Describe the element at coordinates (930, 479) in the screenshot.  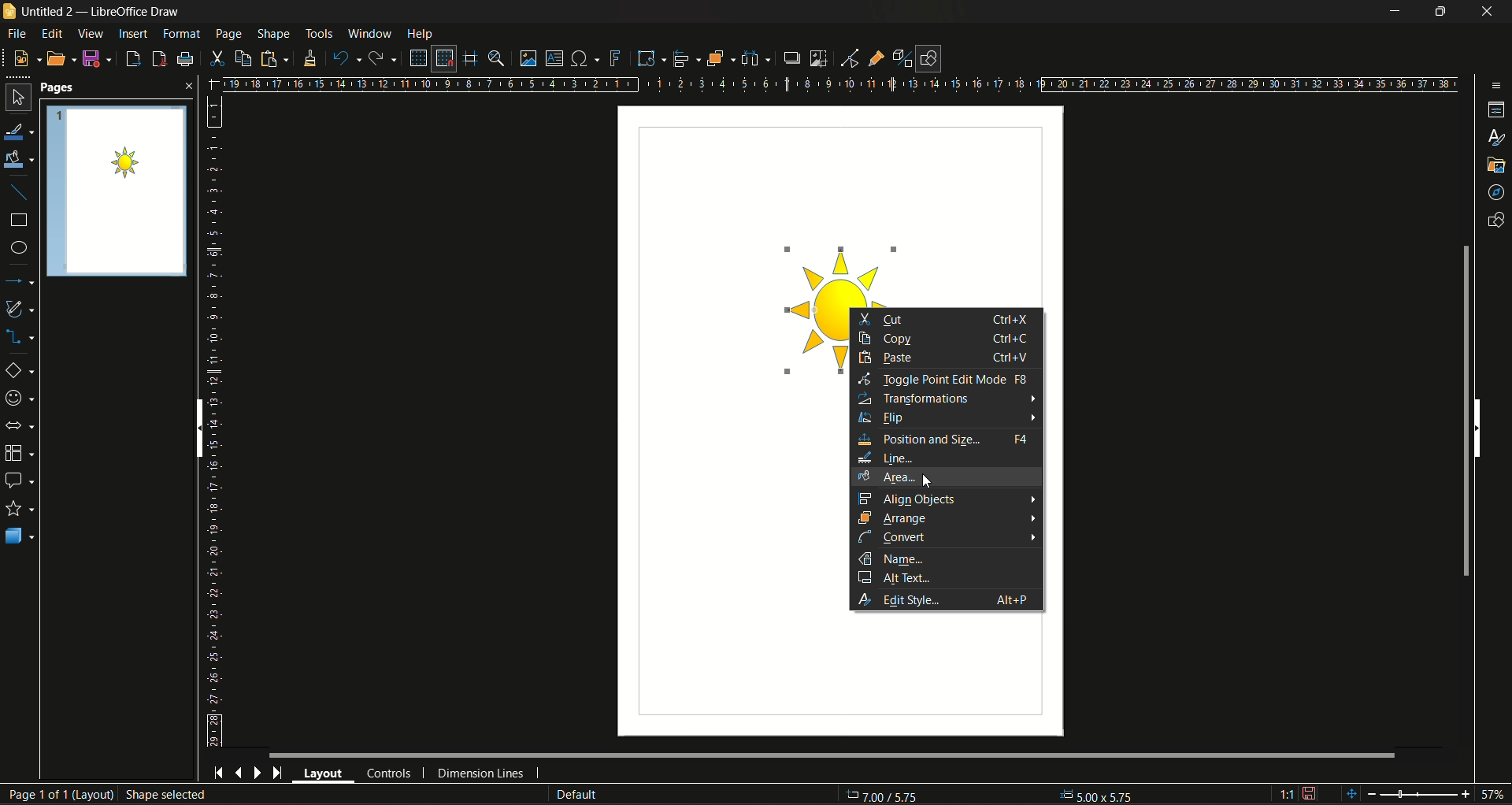
I see `cursor` at that location.